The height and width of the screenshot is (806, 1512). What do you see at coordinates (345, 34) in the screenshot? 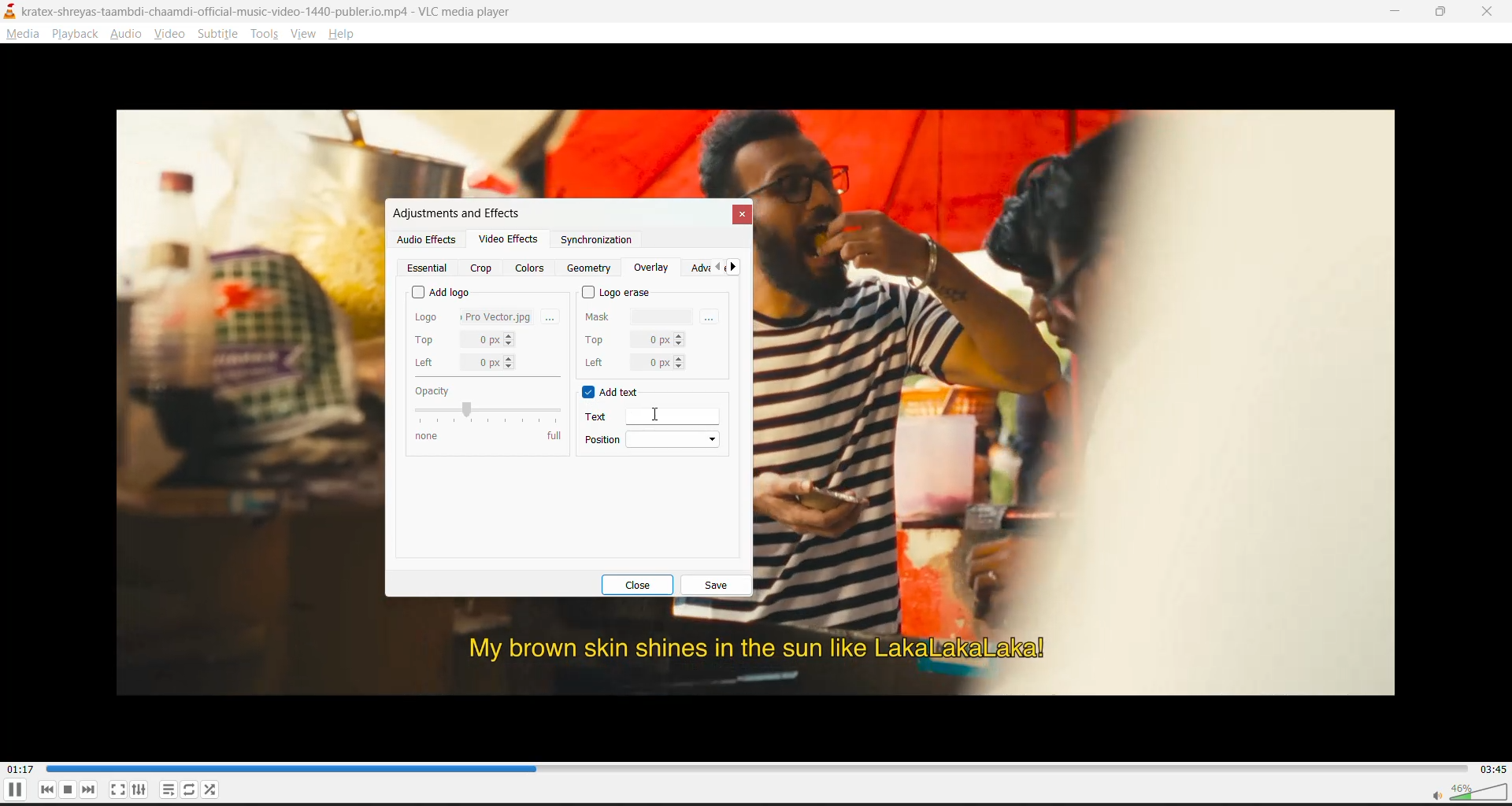
I see `help` at bounding box center [345, 34].